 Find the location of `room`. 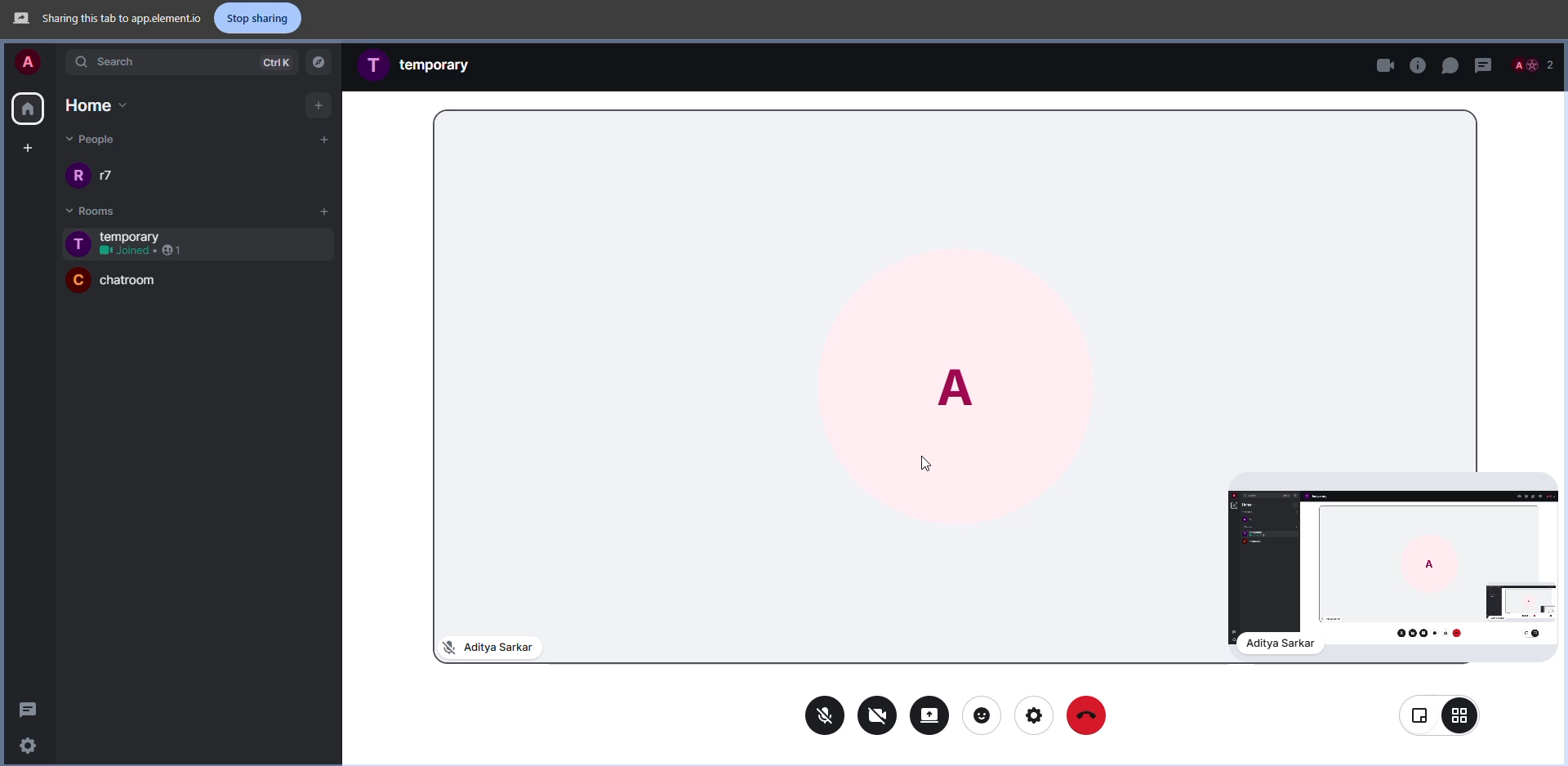

room is located at coordinates (436, 60).